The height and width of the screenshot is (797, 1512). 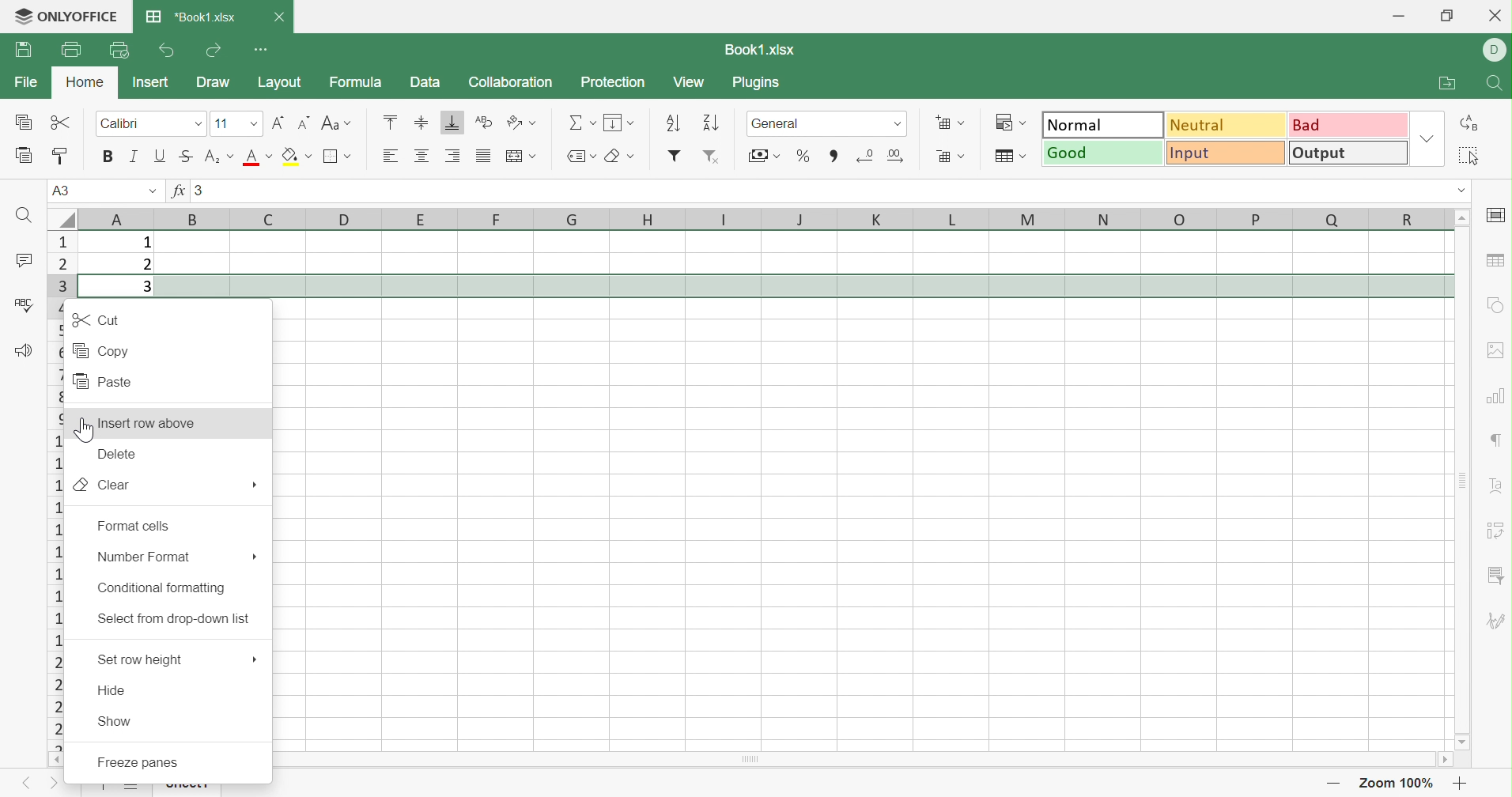 I want to click on Fill color, so click(x=289, y=155).